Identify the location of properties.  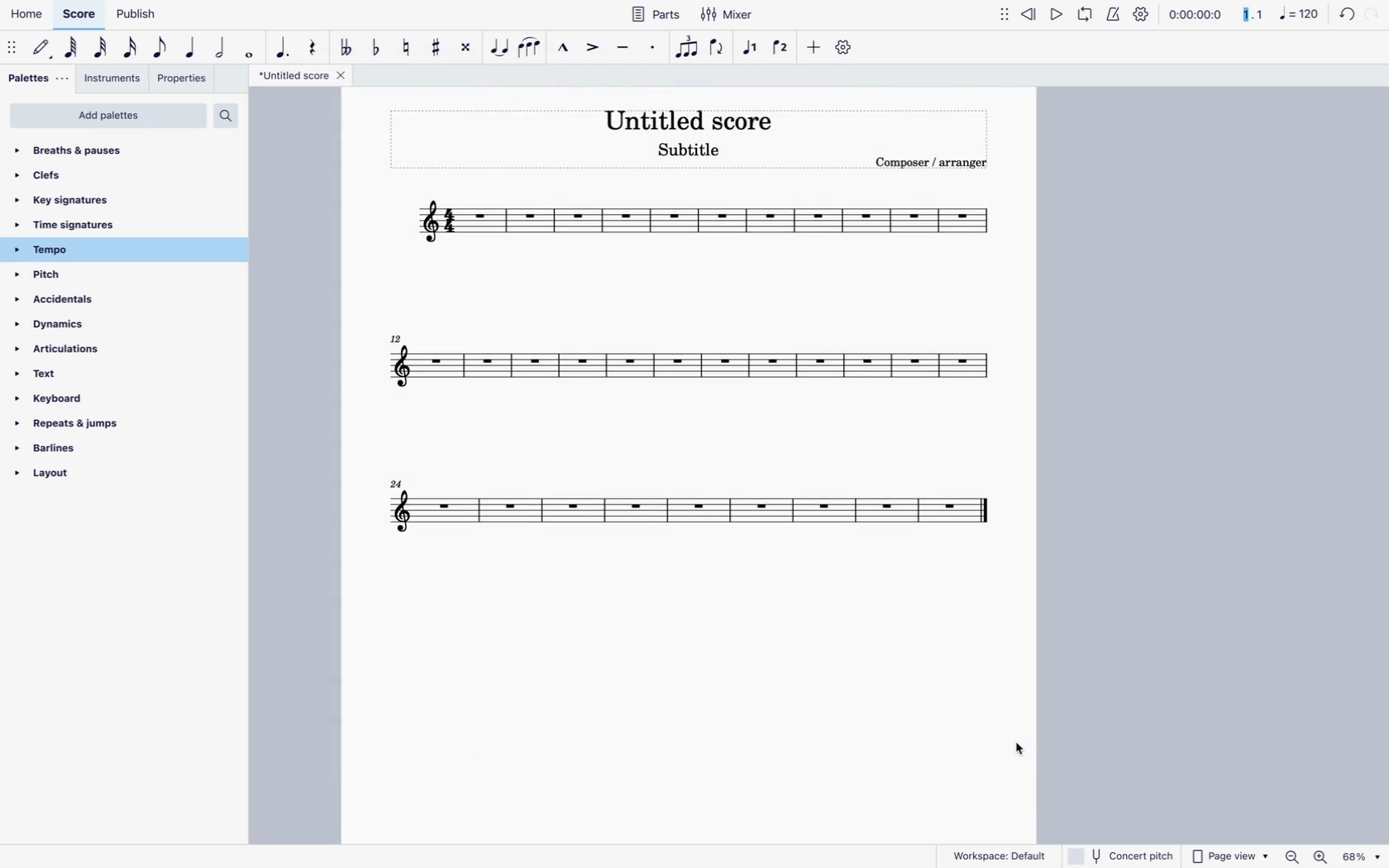
(183, 81).